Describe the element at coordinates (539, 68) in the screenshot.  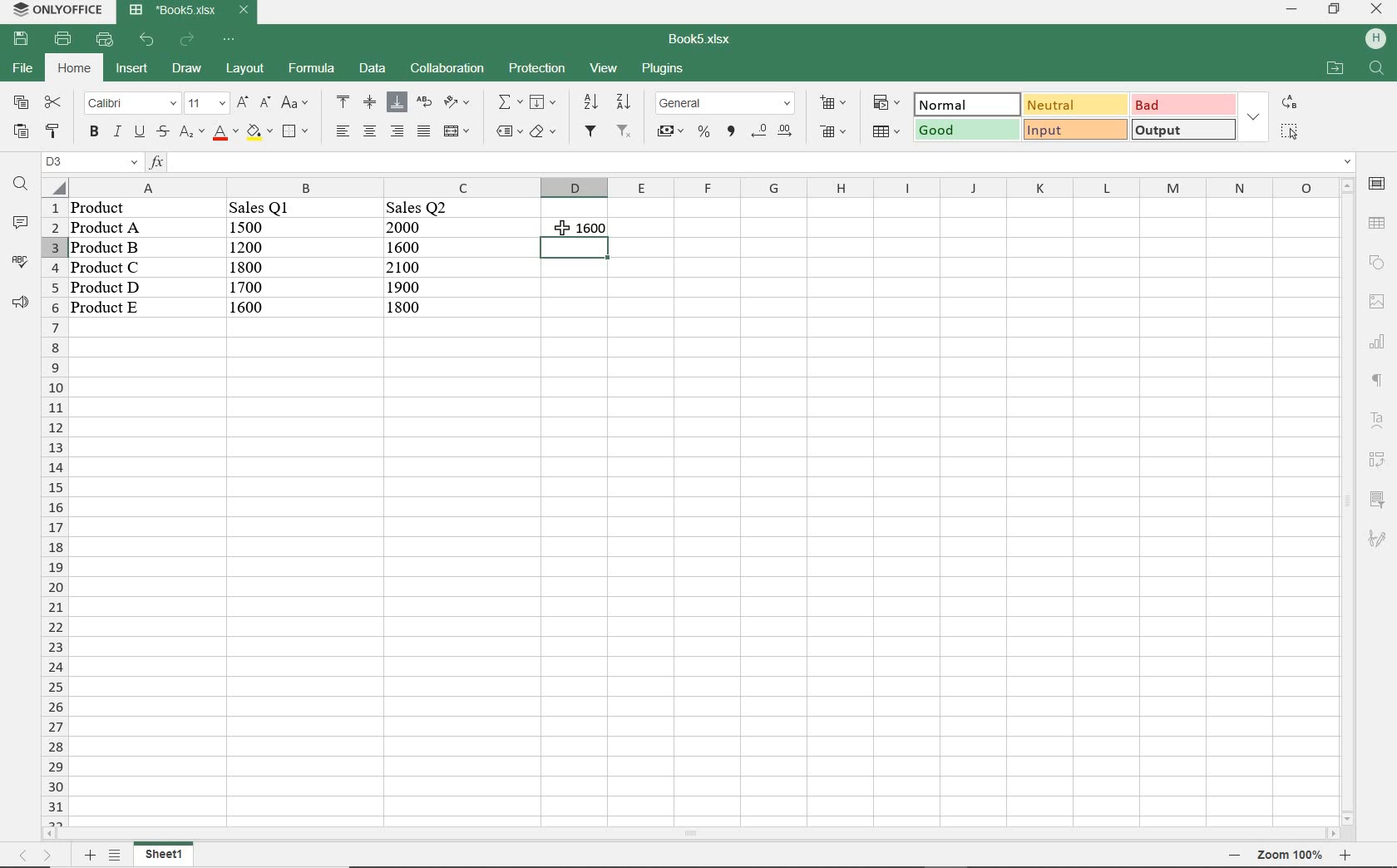
I see `protection` at that location.